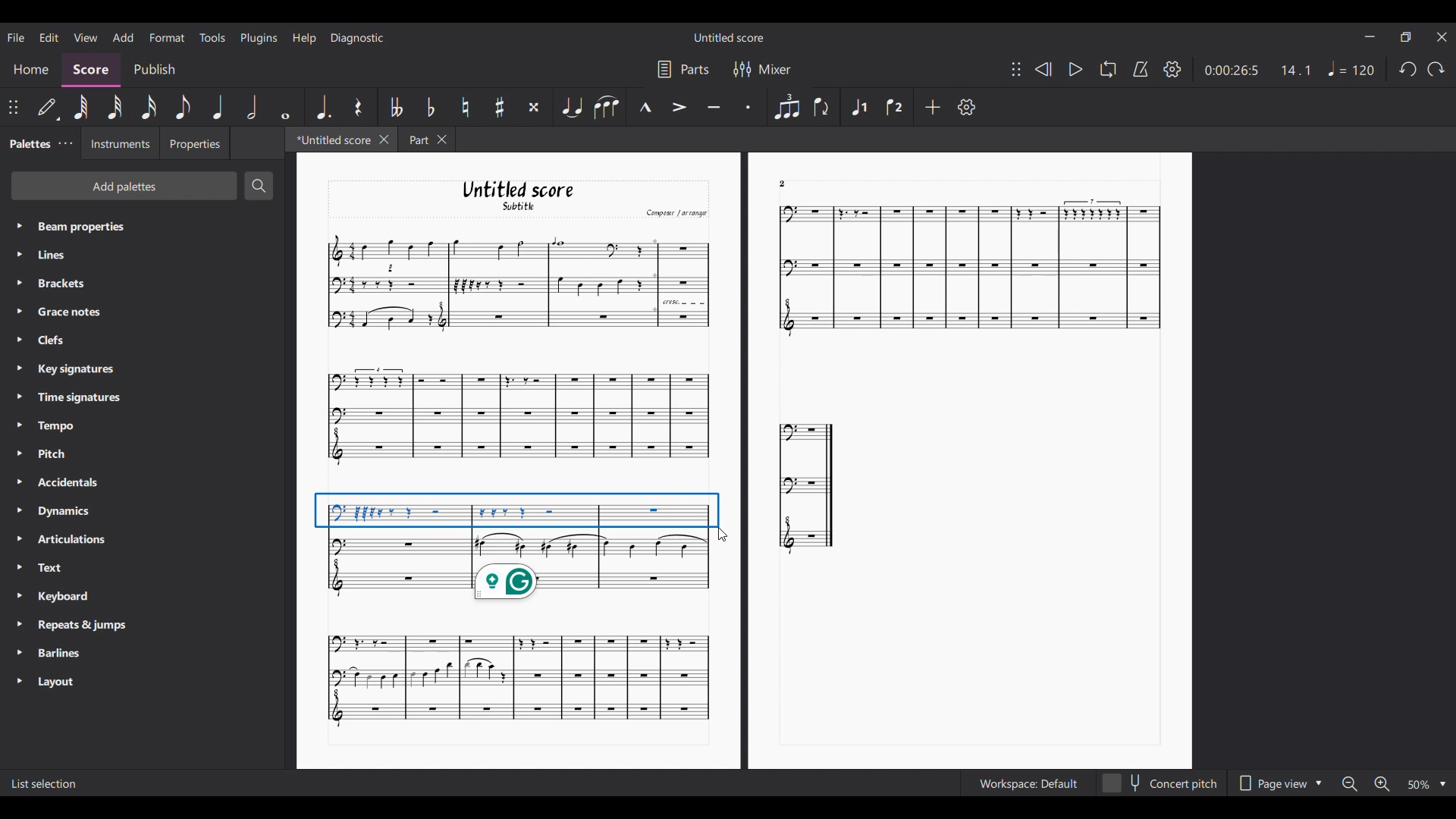  What do you see at coordinates (57, 654) in the screenshot?
I see `> Barlines` at bounding box center [57, 654].